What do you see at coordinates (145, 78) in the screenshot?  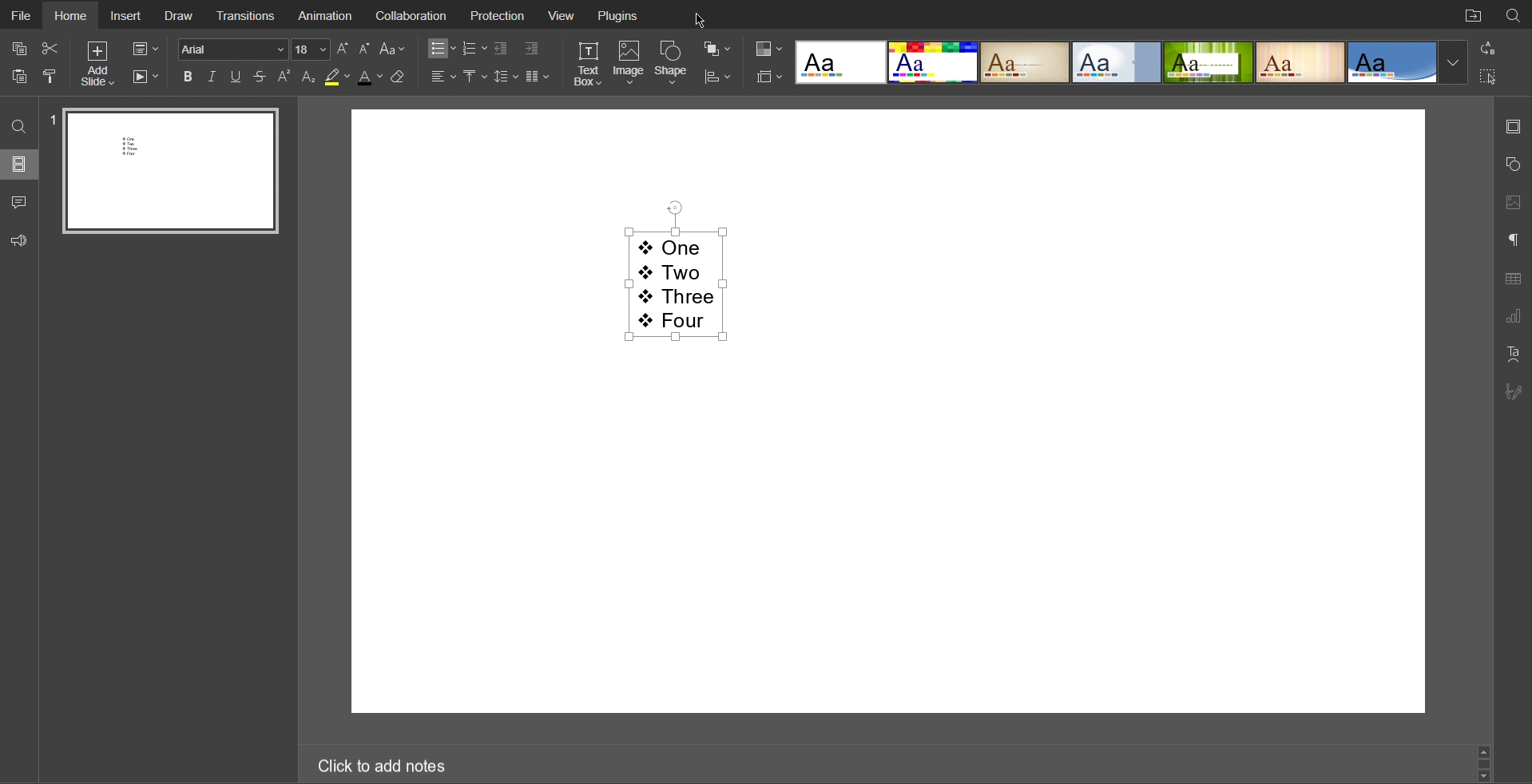 I see `Playback Settings` at bounding box center [145, 78].